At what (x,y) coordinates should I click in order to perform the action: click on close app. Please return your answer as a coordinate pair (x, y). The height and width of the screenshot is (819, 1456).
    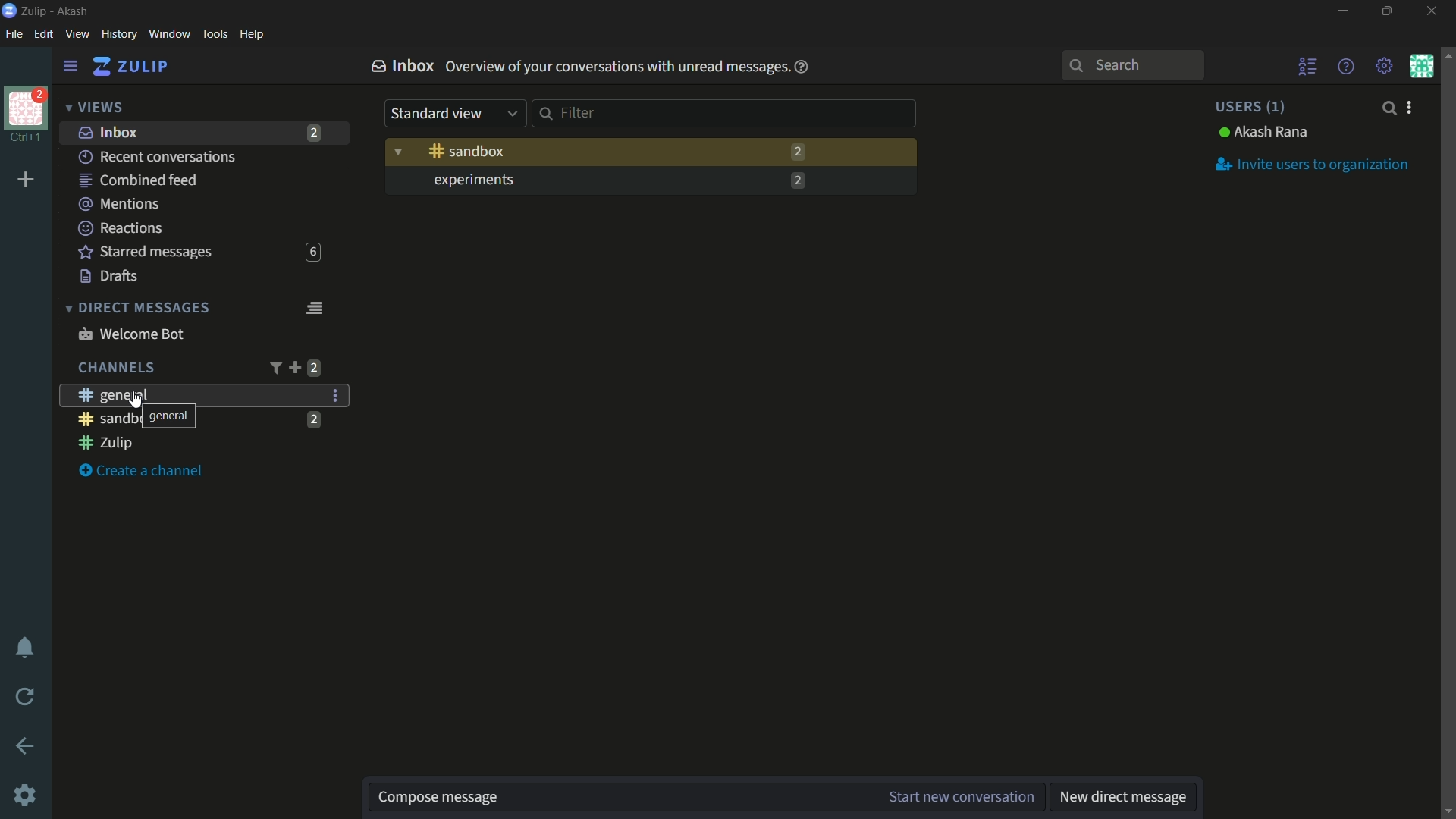
    Looking at the image, I should click on (1429, 11).